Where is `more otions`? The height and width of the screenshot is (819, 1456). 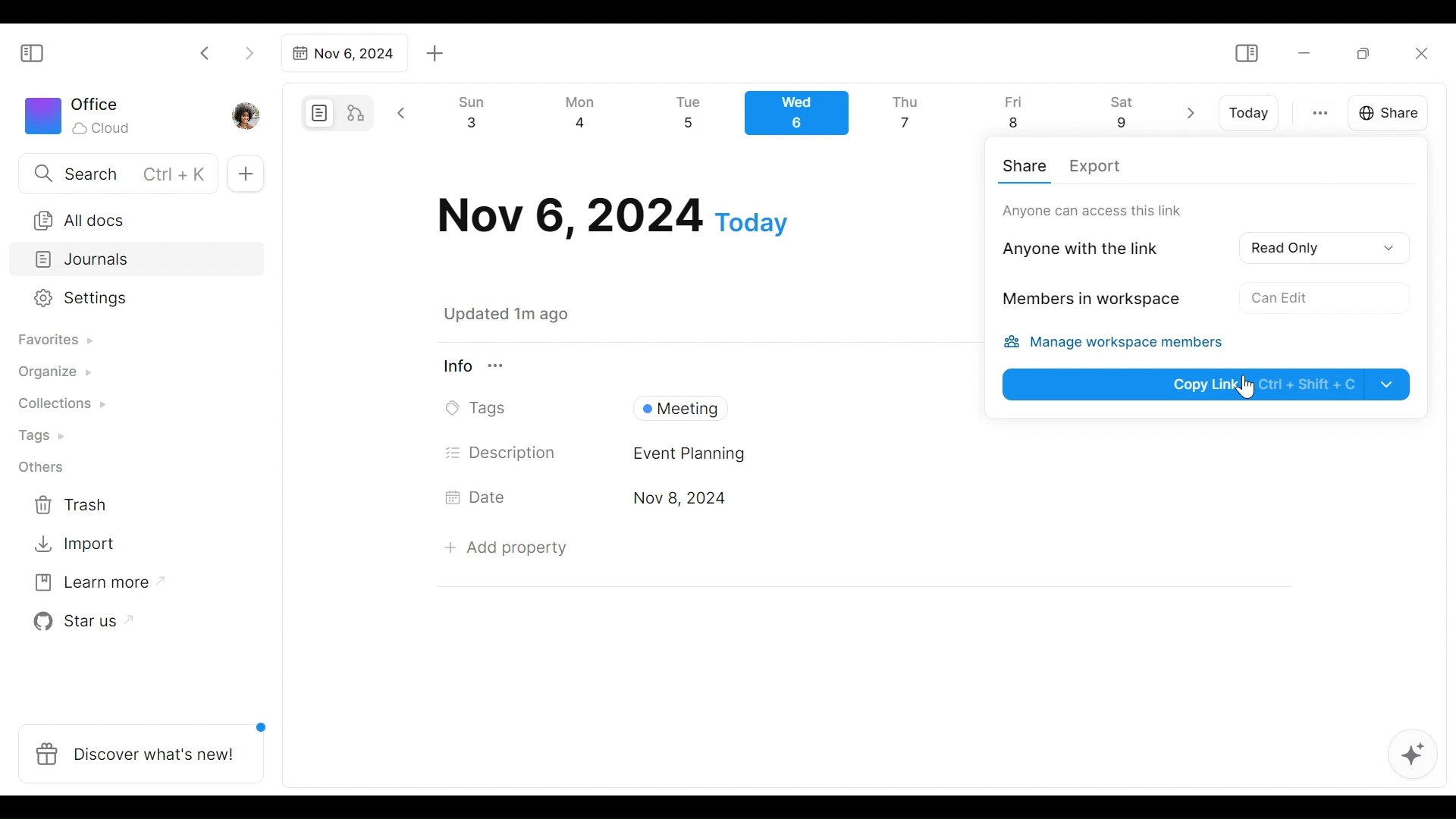 more otions is located at coordinates (1320, 111).